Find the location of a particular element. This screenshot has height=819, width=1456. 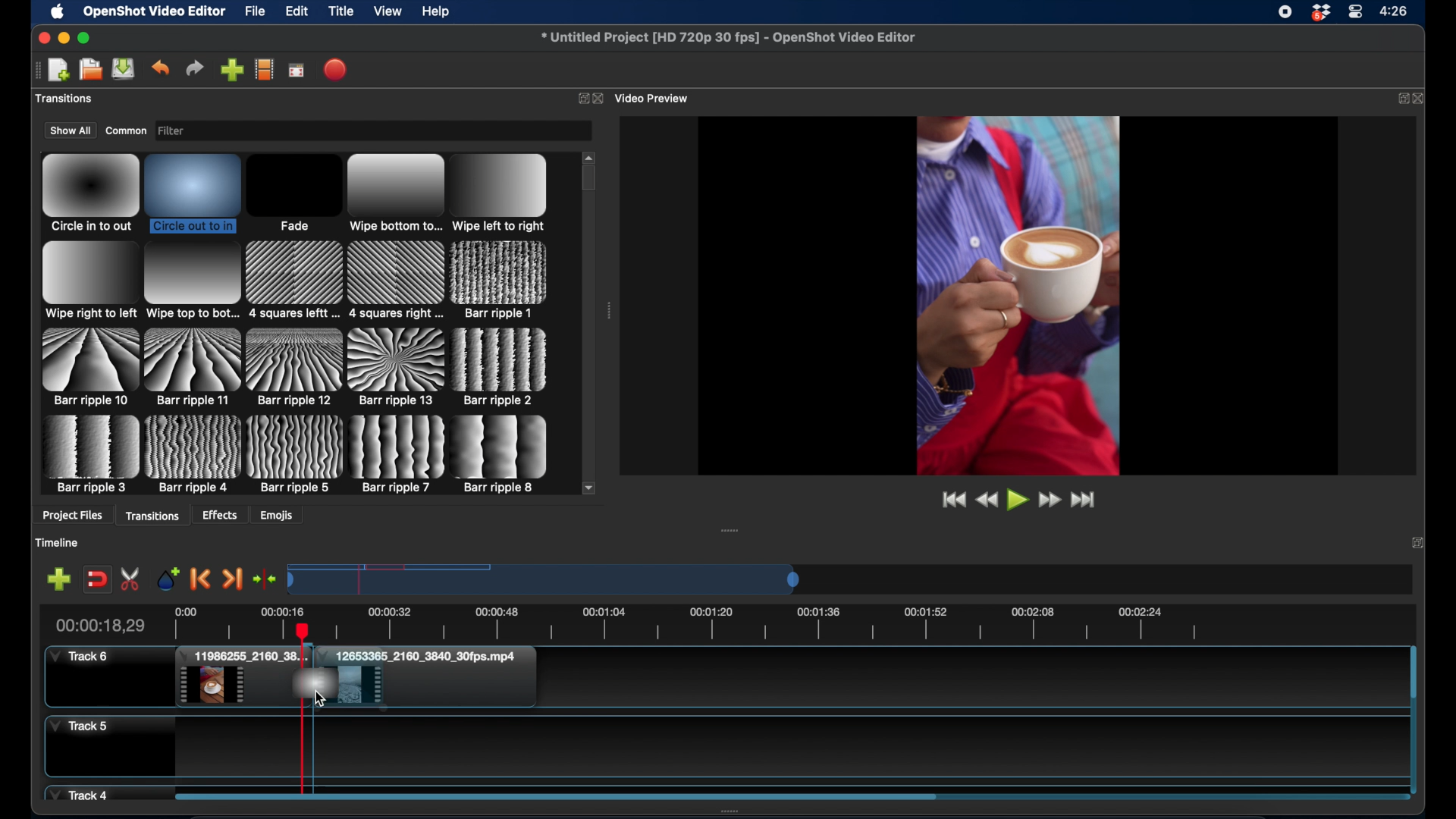

full screen is located at coordinates (297, 69).